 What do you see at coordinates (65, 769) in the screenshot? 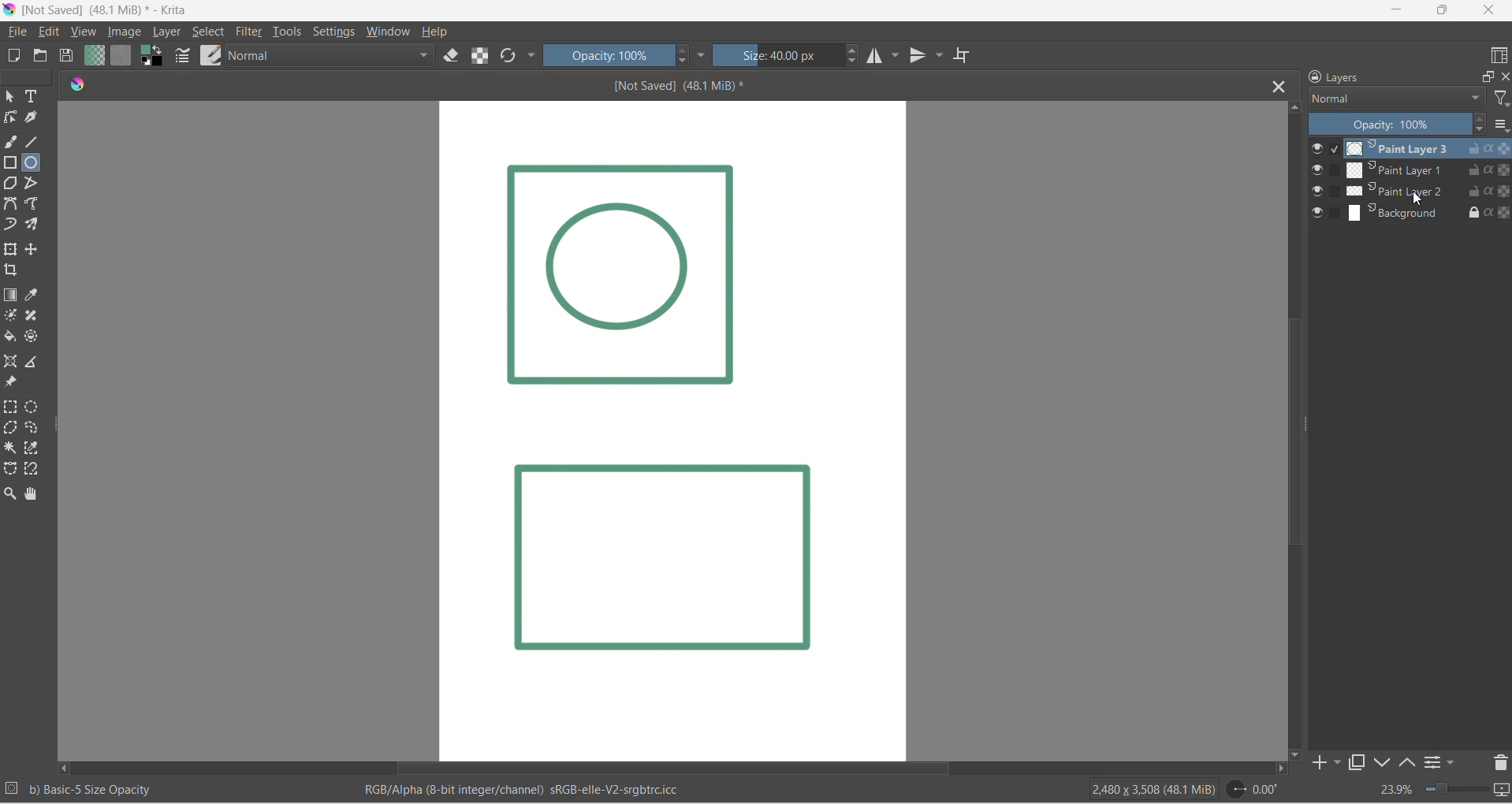
I see `move left` at bounding box center [65, 769].